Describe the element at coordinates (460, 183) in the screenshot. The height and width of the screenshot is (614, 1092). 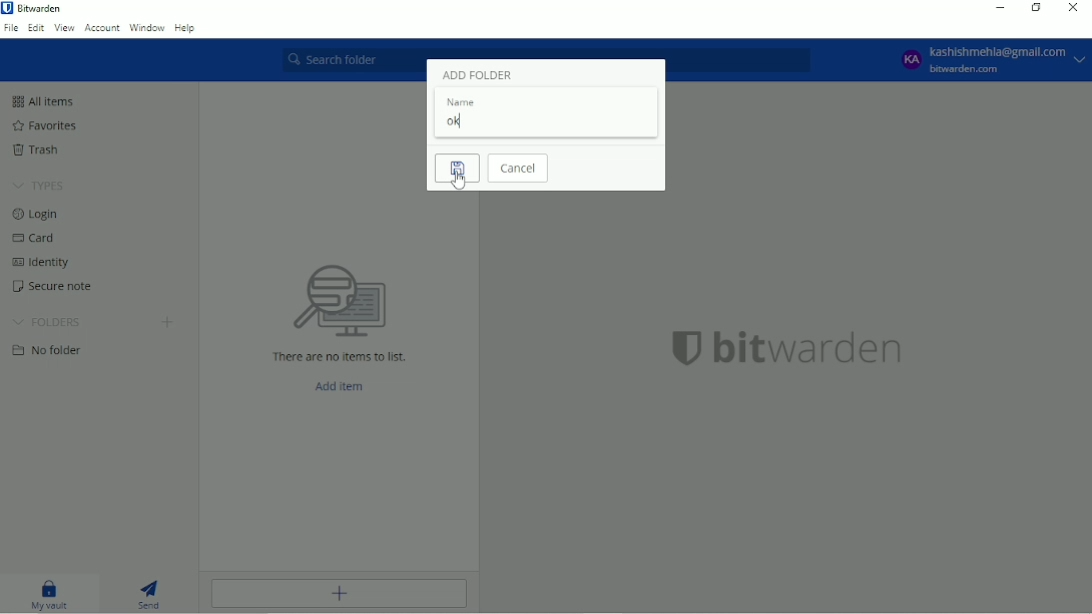
I see `cursor` at that location.